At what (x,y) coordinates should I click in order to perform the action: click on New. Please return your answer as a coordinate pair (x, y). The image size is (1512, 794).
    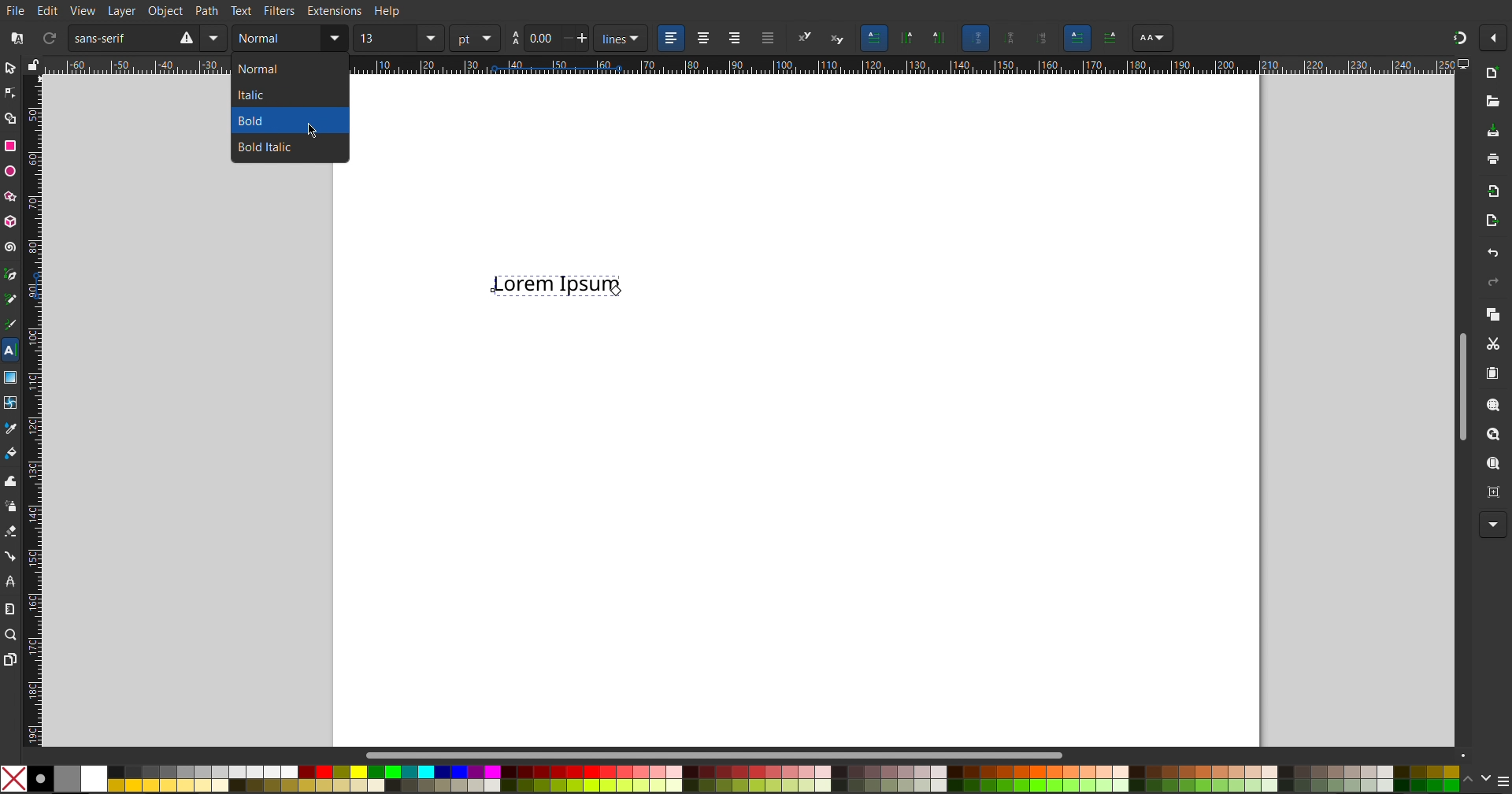
    Looking at the image, I should click on (1492, 74).